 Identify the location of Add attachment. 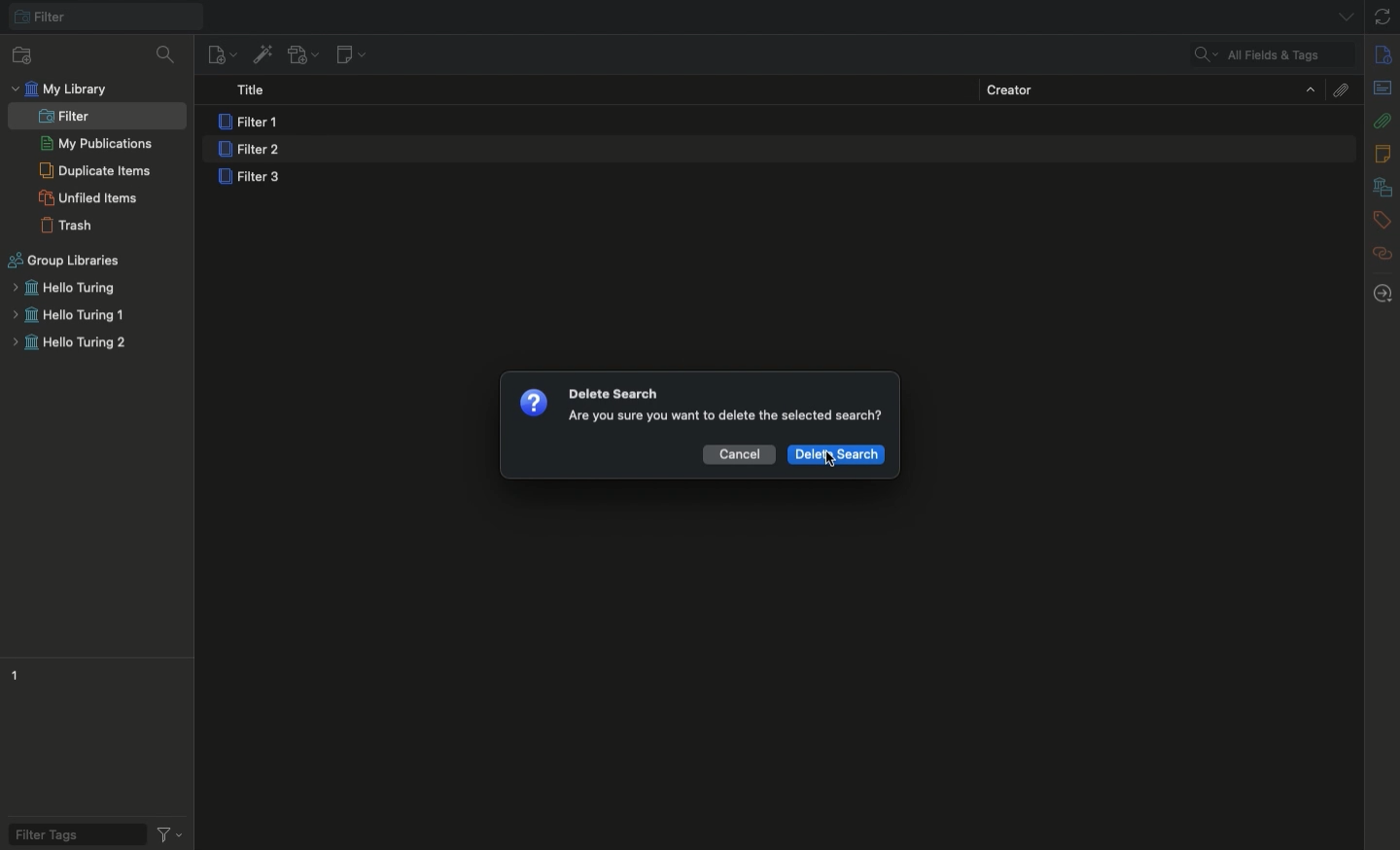
(301, 56).